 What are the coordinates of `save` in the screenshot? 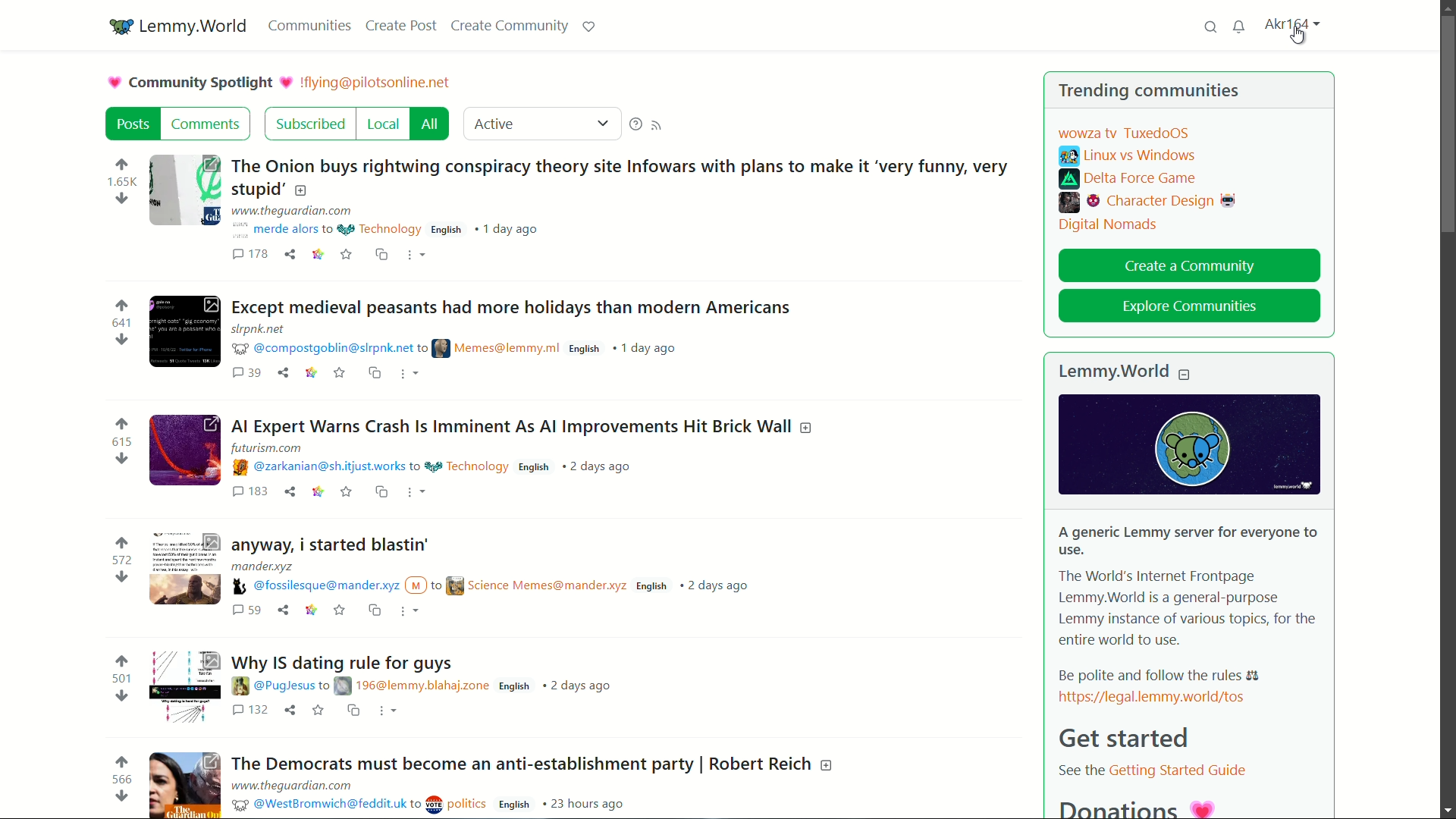 It's located at (347, 491).